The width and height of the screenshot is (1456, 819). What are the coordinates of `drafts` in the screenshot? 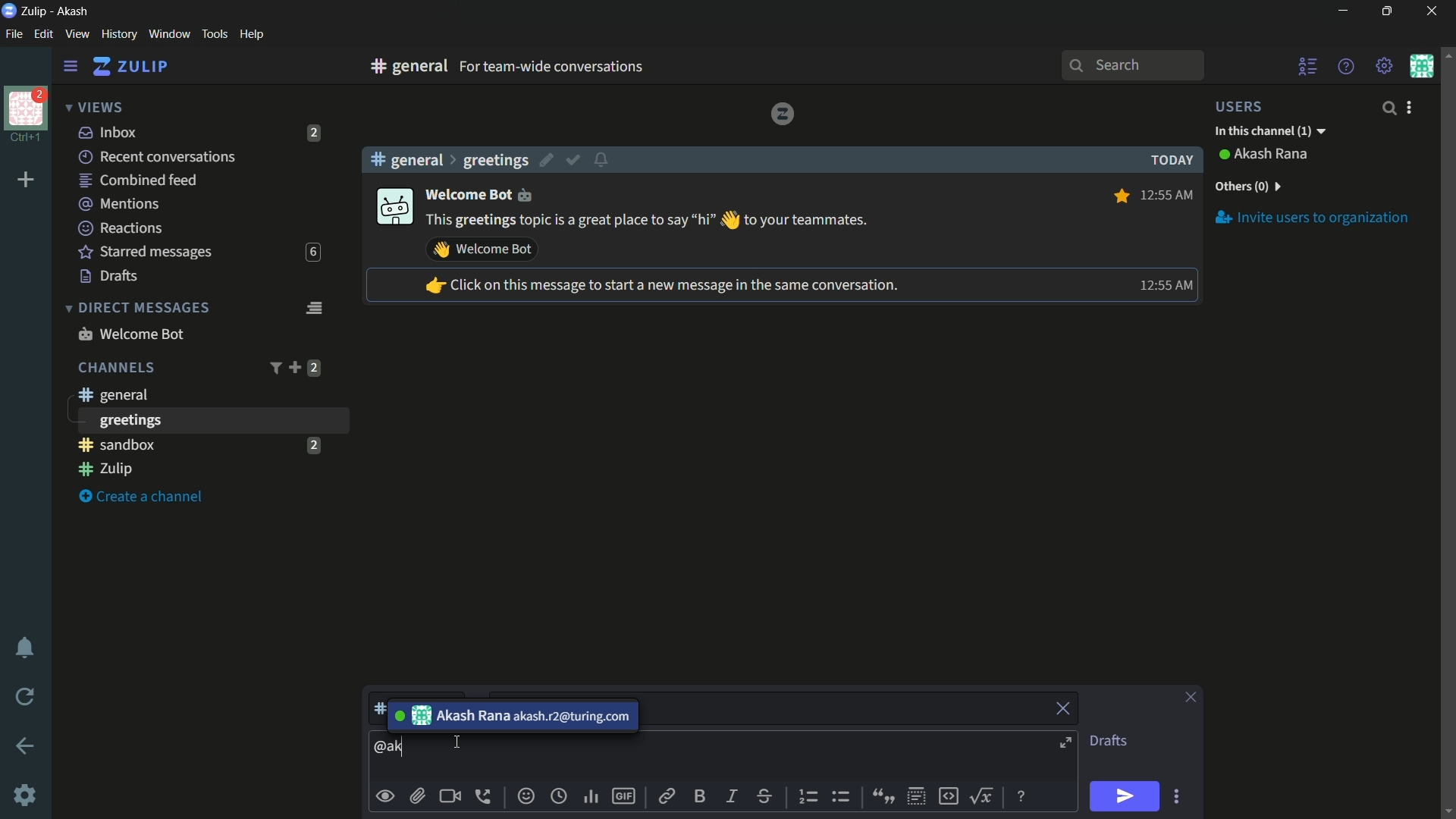 It's located at (1108, 741).